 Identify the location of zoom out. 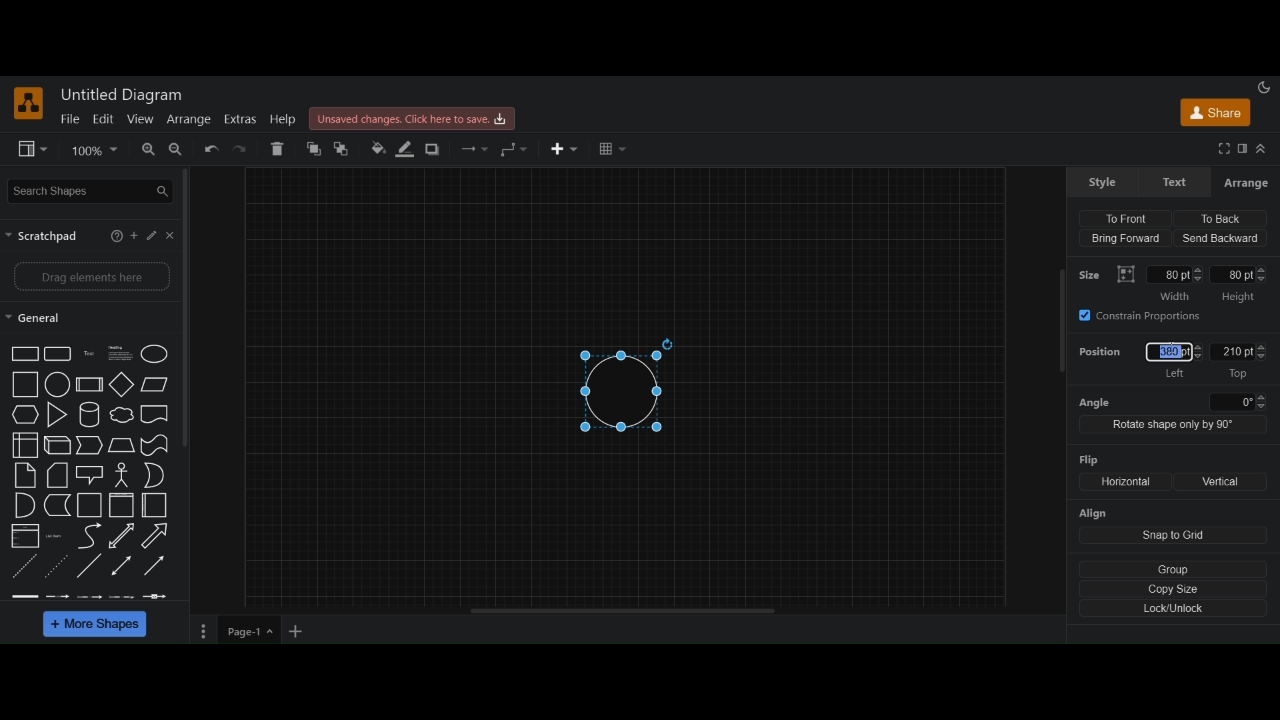
(177, 151).